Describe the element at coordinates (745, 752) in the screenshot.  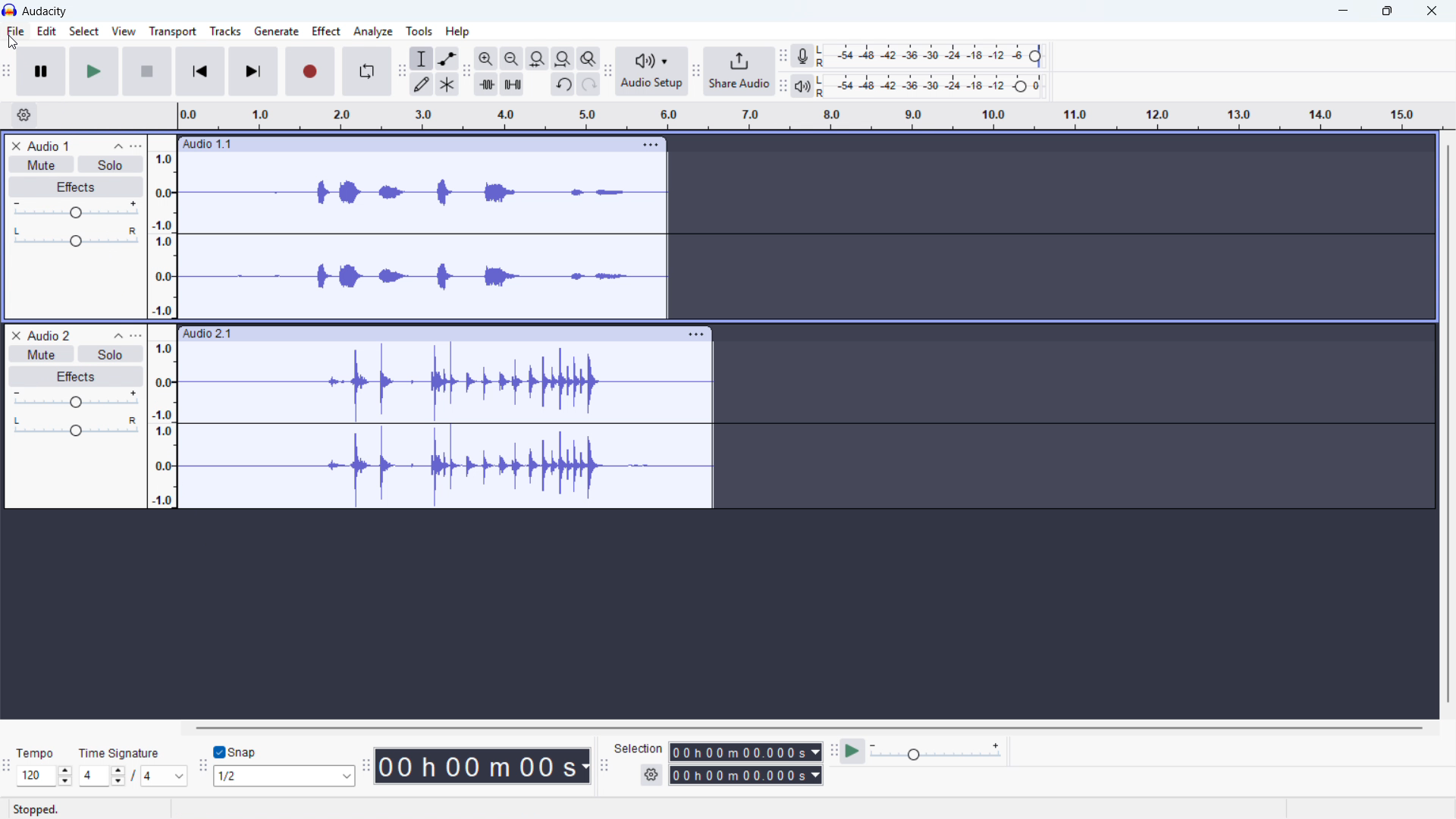
I see `Selection start time` at that location.